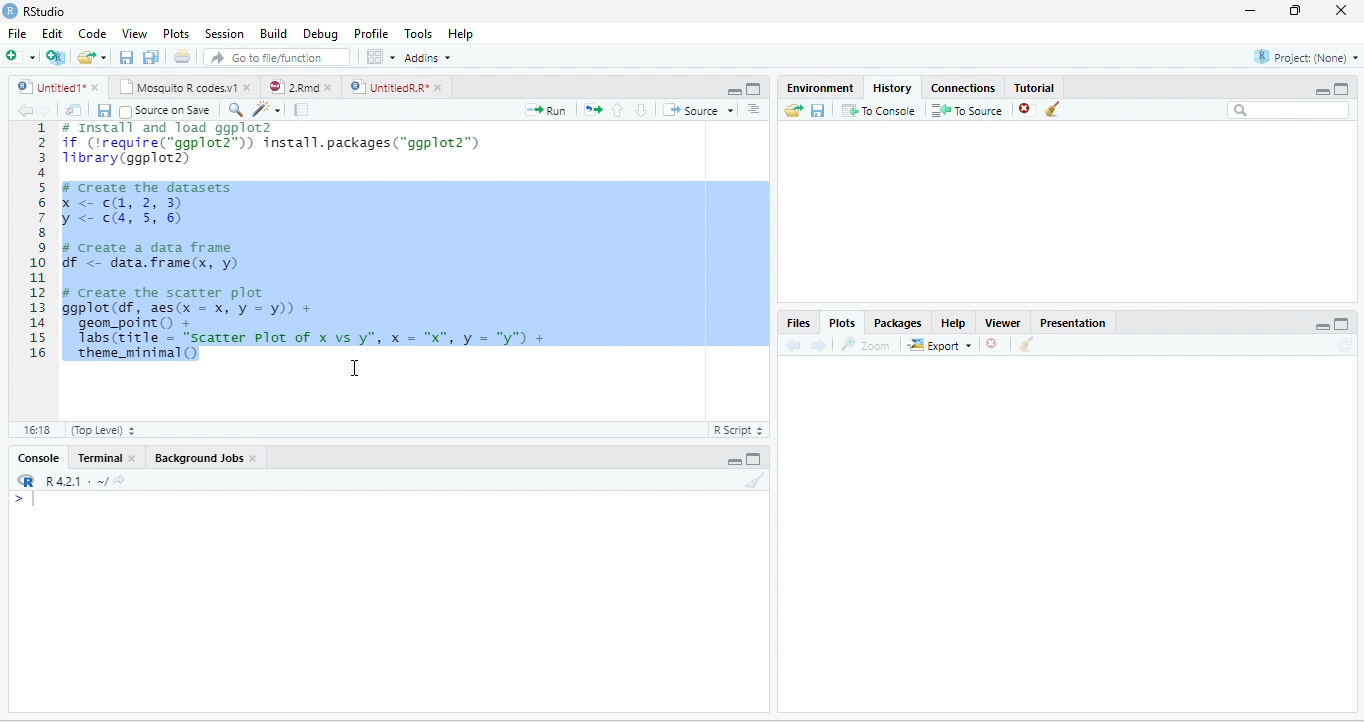  What do you see at coordinates (134, 33) in the screenshot?
I see `View` at bounding box center [134, 33].